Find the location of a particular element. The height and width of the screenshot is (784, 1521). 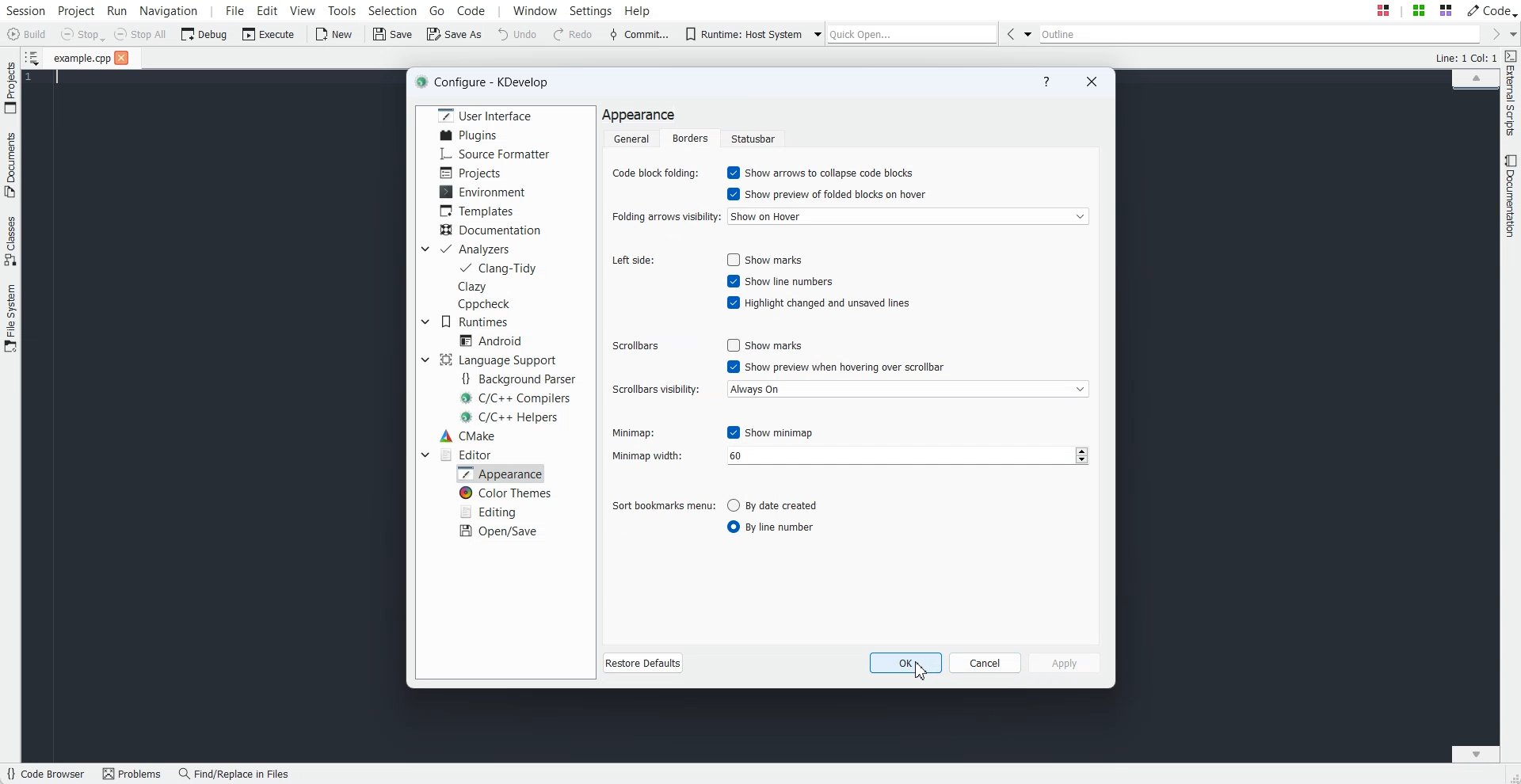

Disable show minimap is located at coordinates (770, 432).